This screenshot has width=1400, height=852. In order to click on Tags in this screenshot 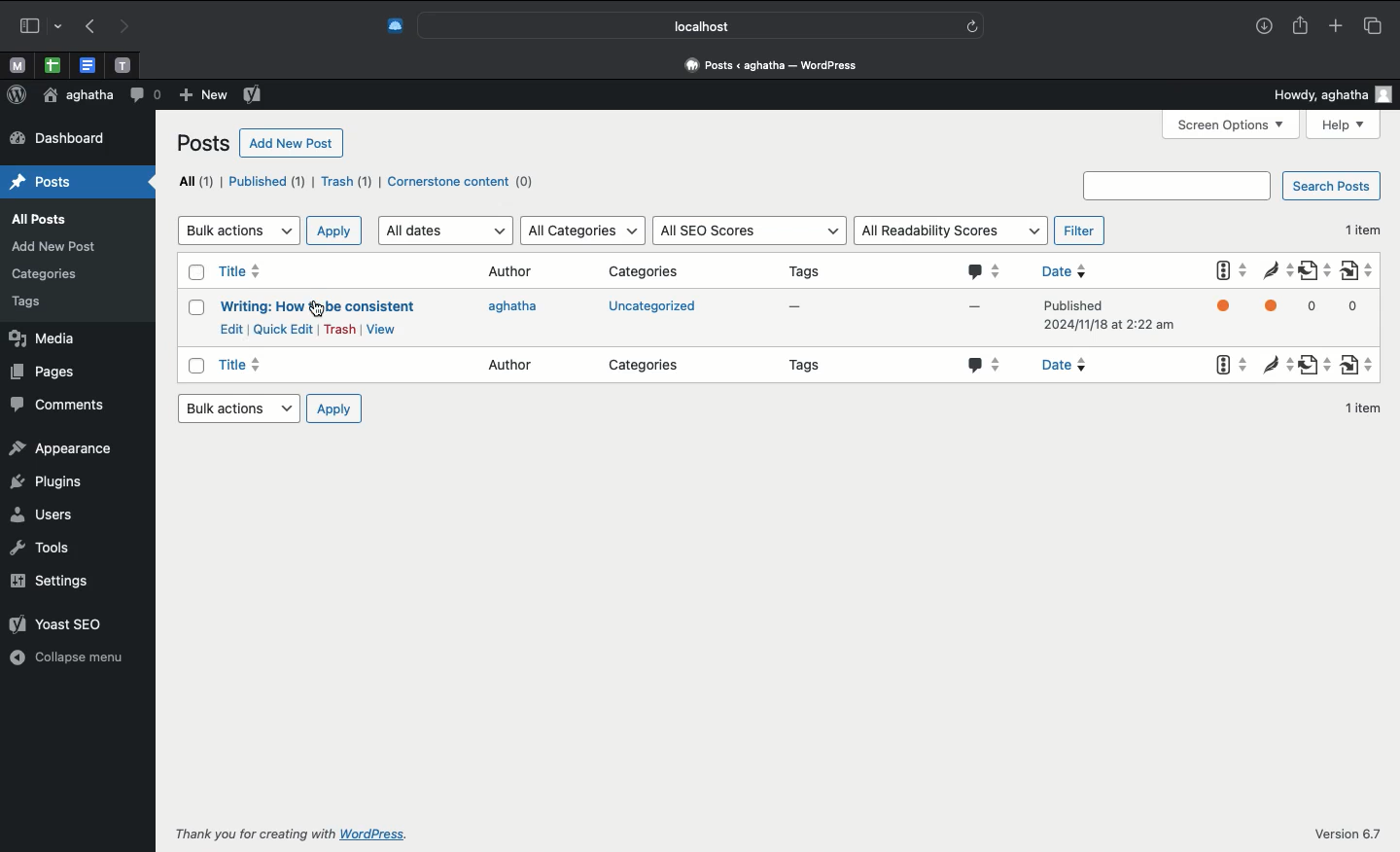, I will do `click(811, 269)`.